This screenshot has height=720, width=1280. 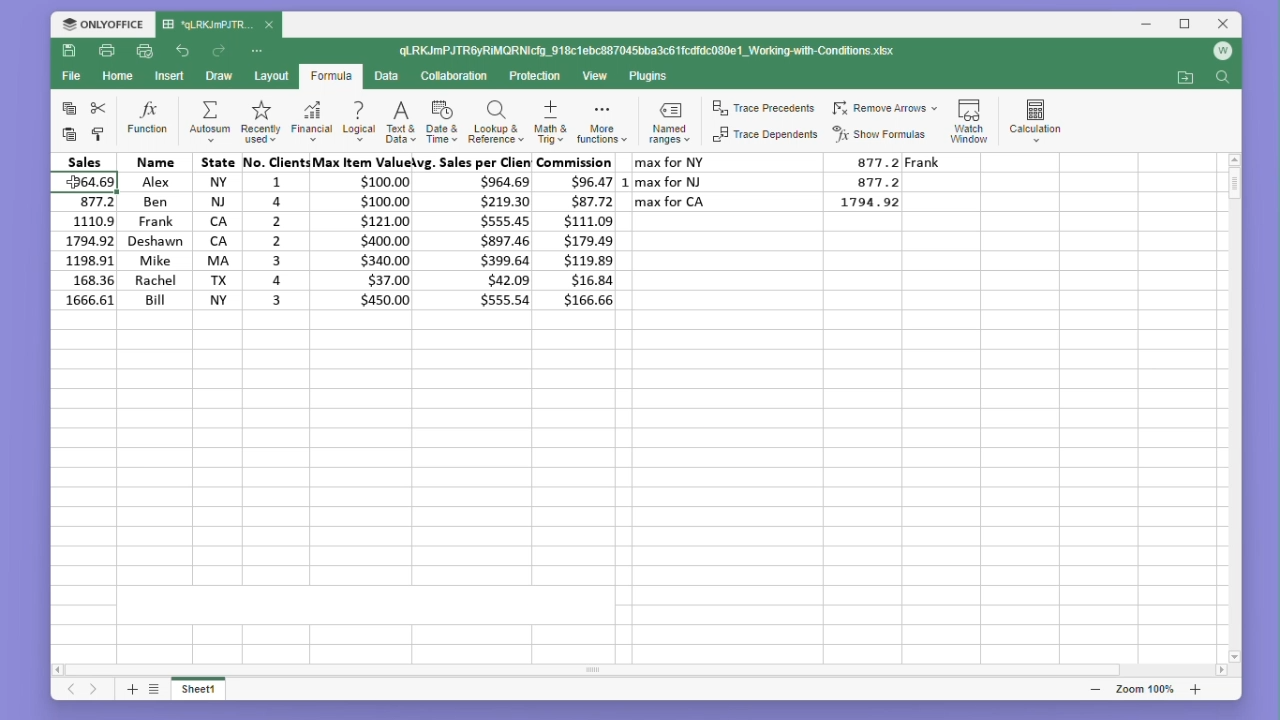 I want to click on trace precedents, so click(x=766, y=110).